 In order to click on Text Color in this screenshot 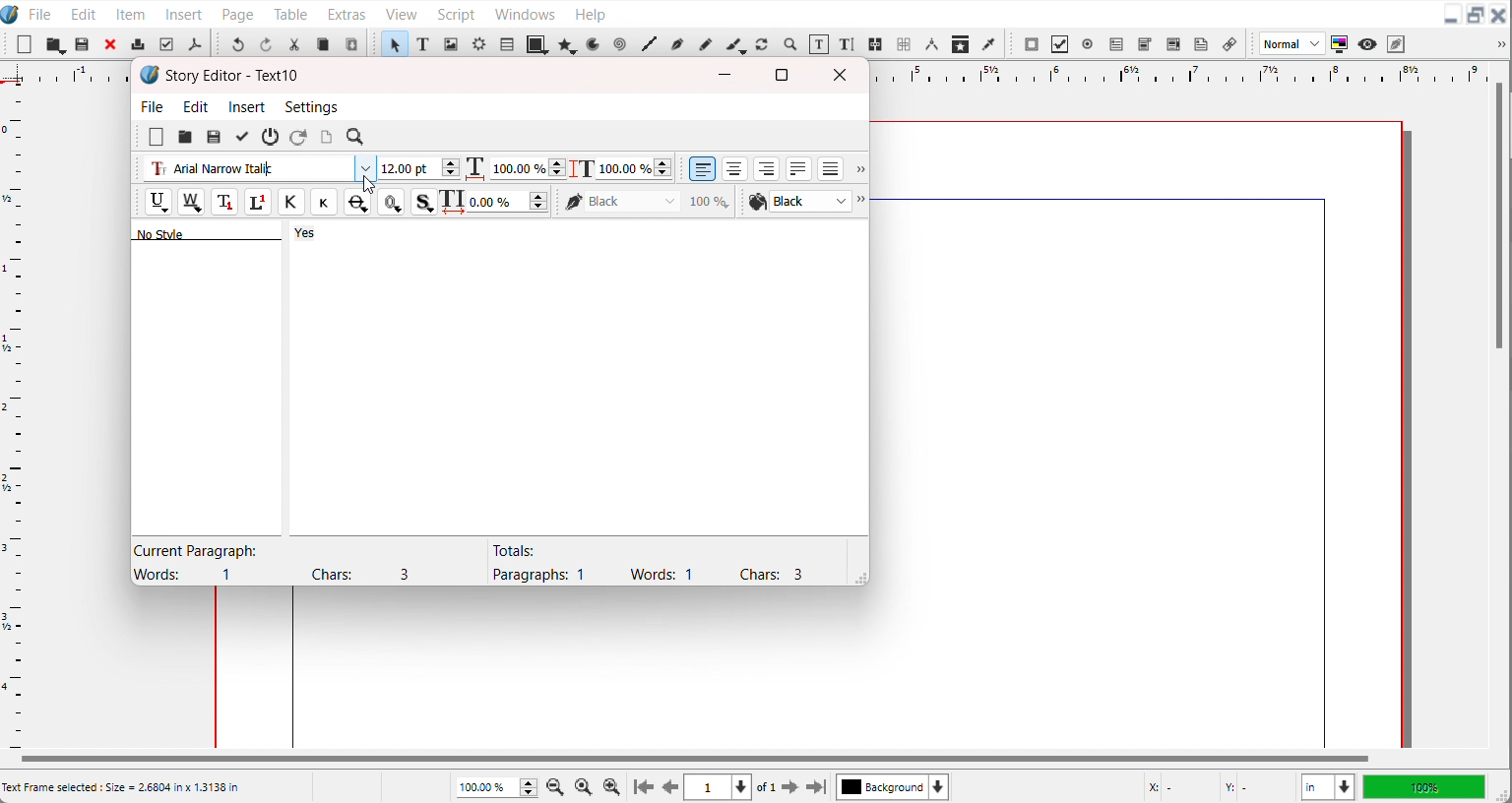, I will do `click(798, 202)`.